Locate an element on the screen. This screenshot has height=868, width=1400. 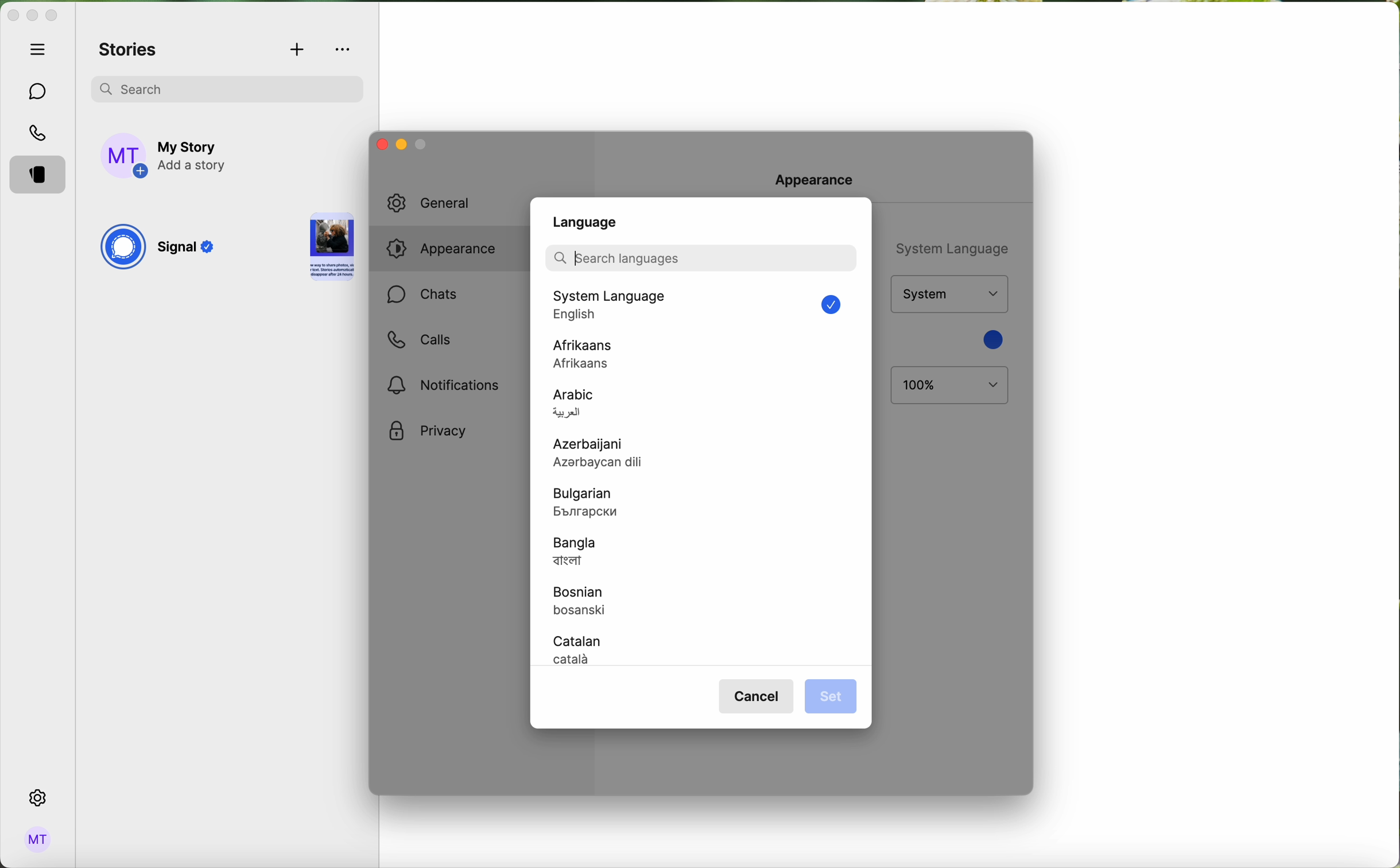
theme options is located at coordinates (948, 294).